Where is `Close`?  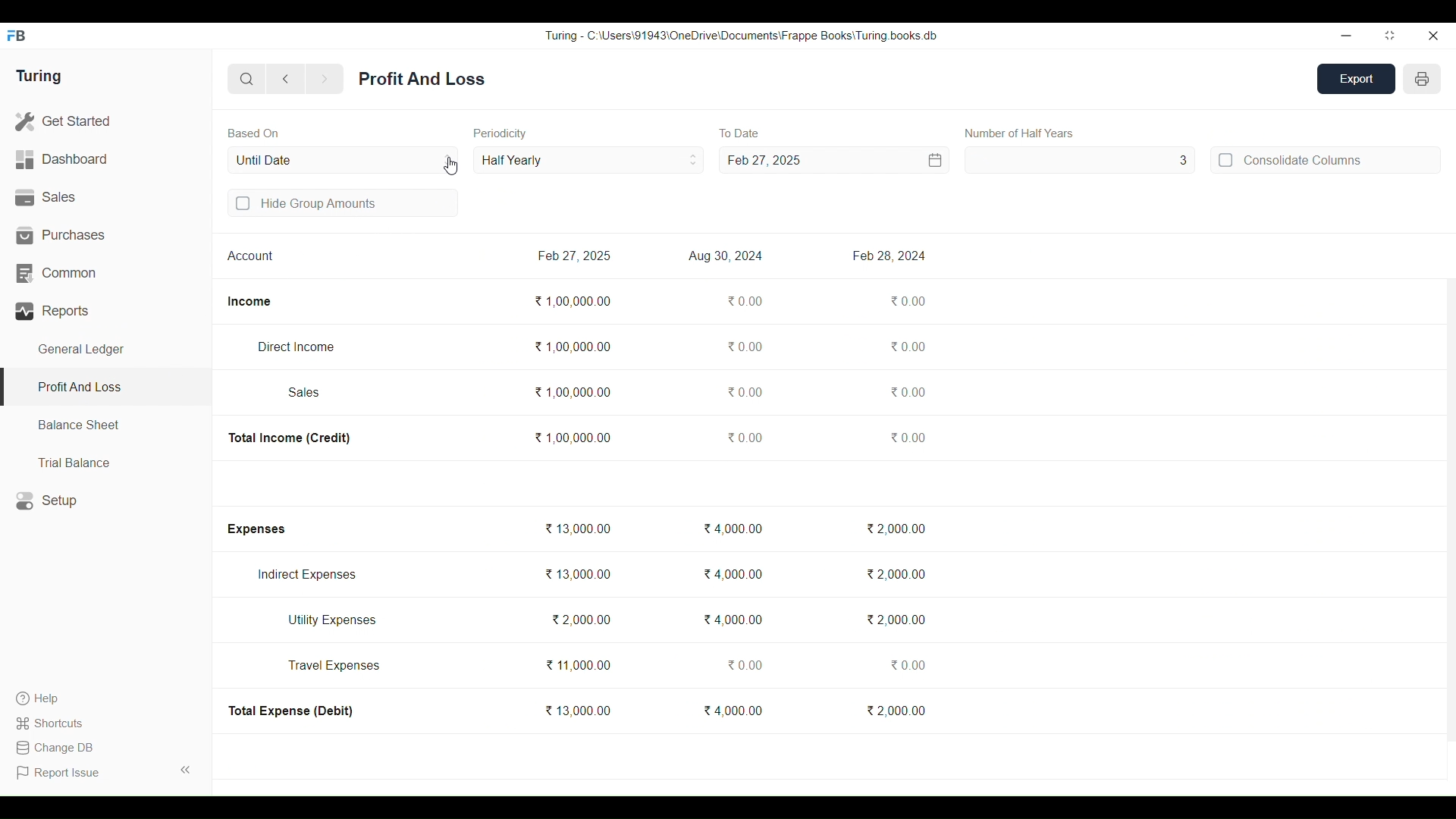
Close is located at coordinates (1432, 36).